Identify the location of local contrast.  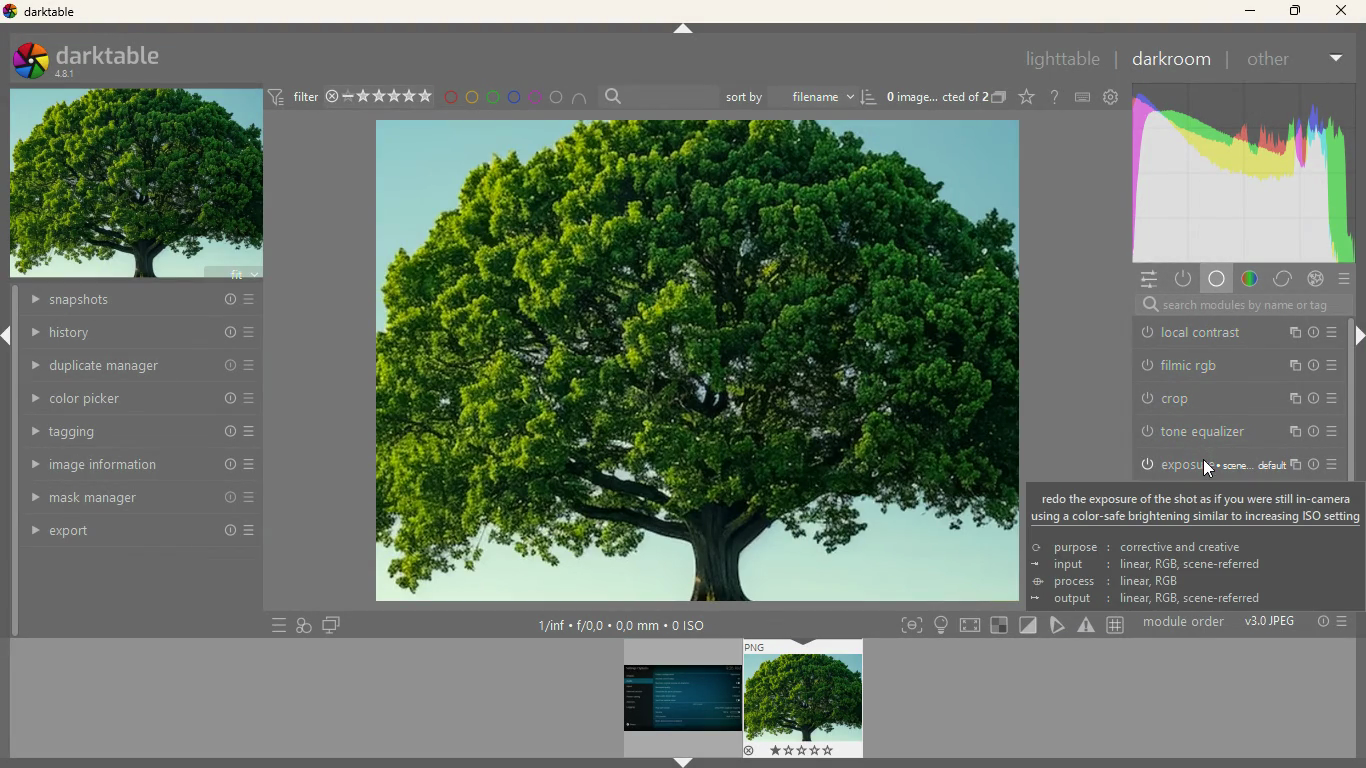
(1211, 330).